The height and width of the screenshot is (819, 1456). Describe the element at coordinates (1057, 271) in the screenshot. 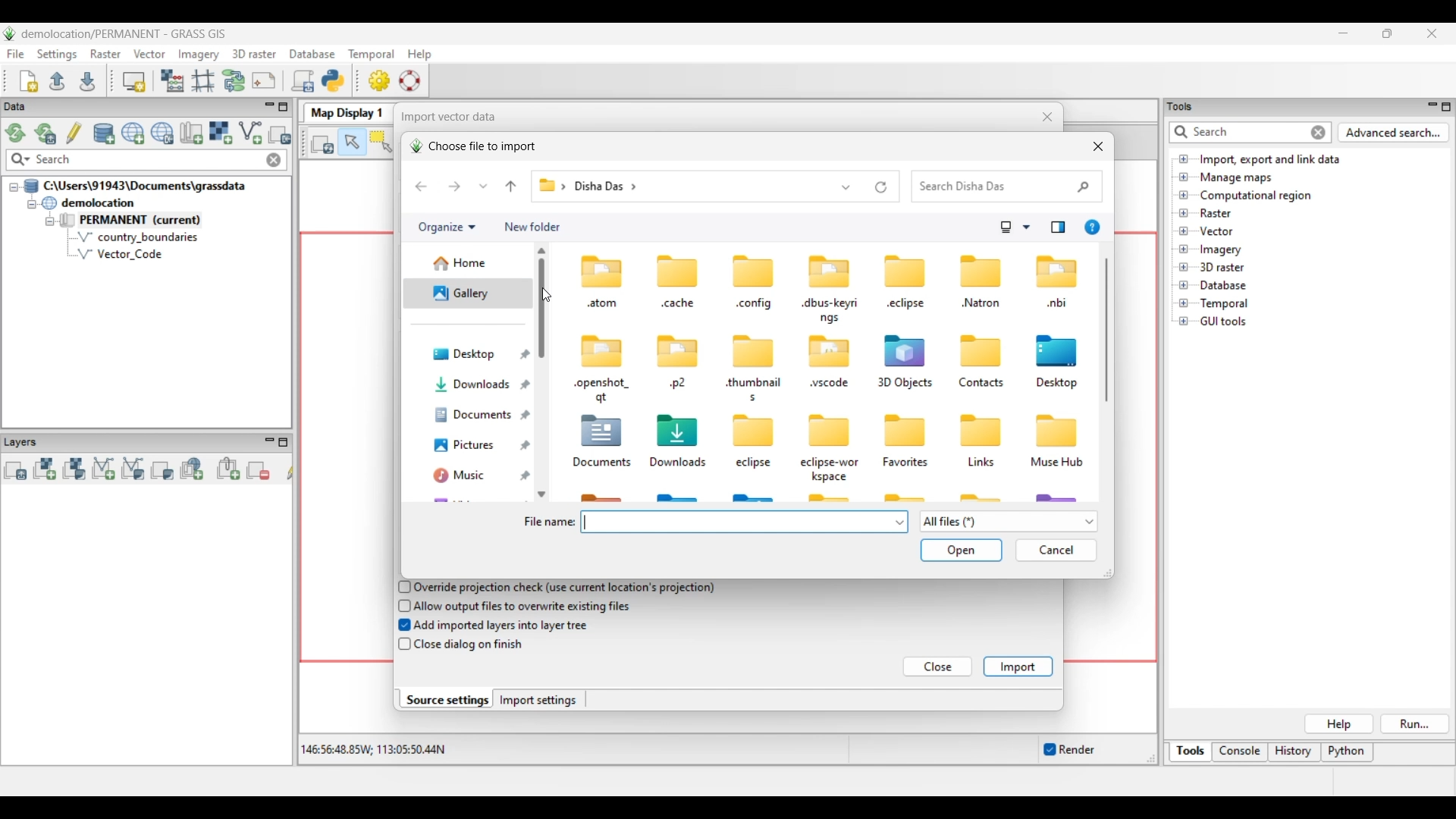

I see `icon` at that location.